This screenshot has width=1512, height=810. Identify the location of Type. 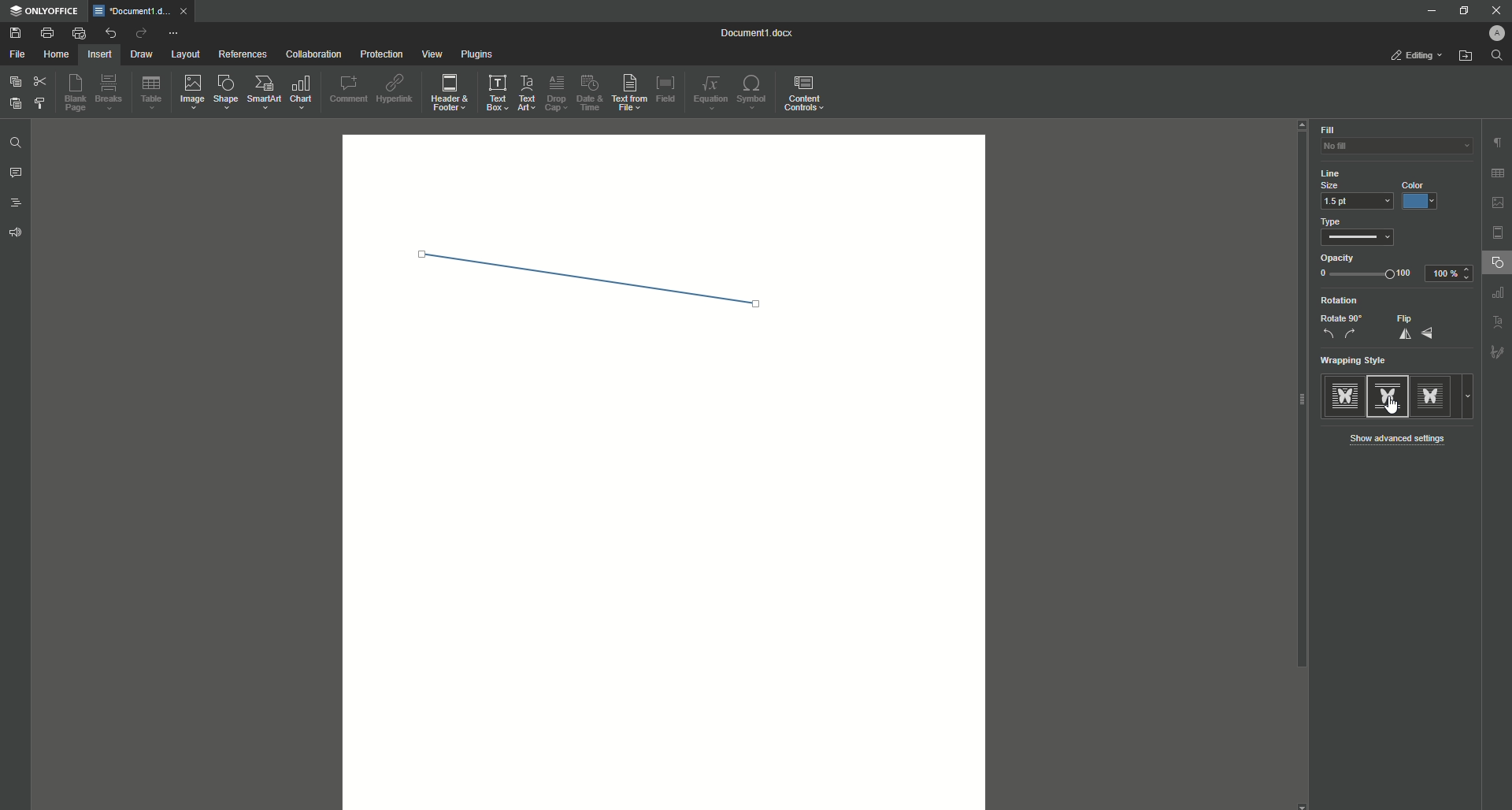
(1357, 232).